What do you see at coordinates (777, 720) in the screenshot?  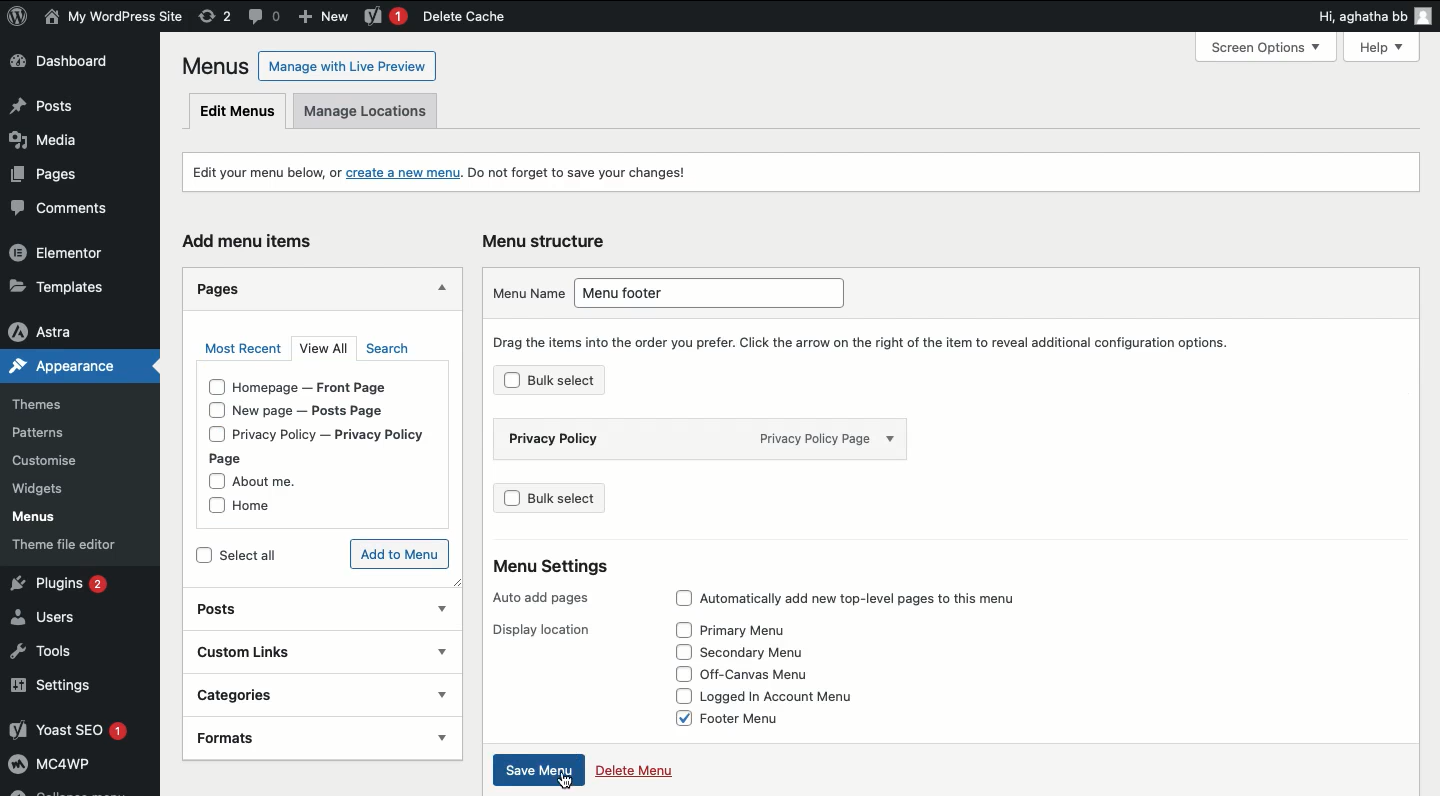 I see ` Footer Menu` at bounding box center [777, 720].